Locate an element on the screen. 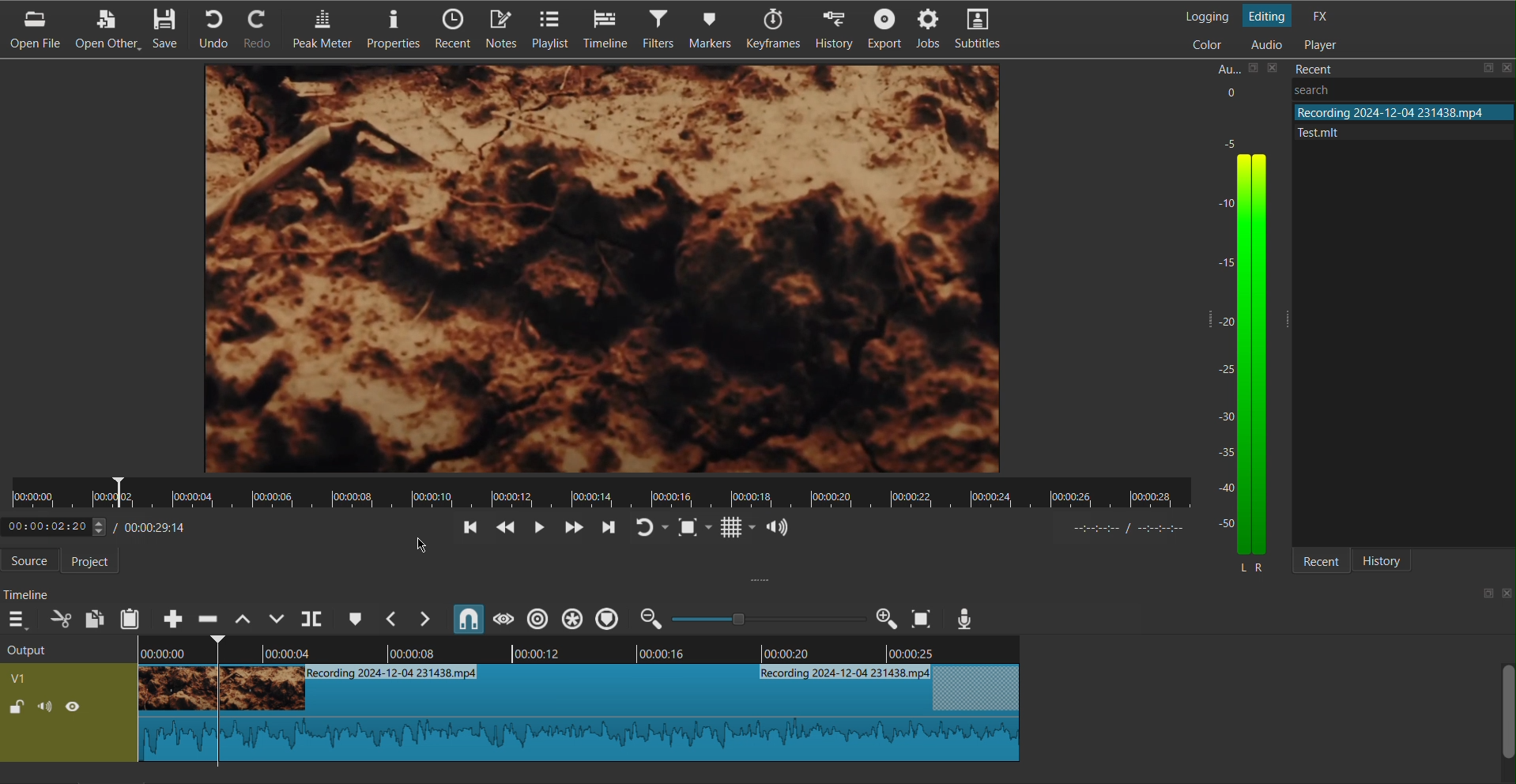 This screenshot has height=784, width=1516. Mic is located at coordinates (965, 618).